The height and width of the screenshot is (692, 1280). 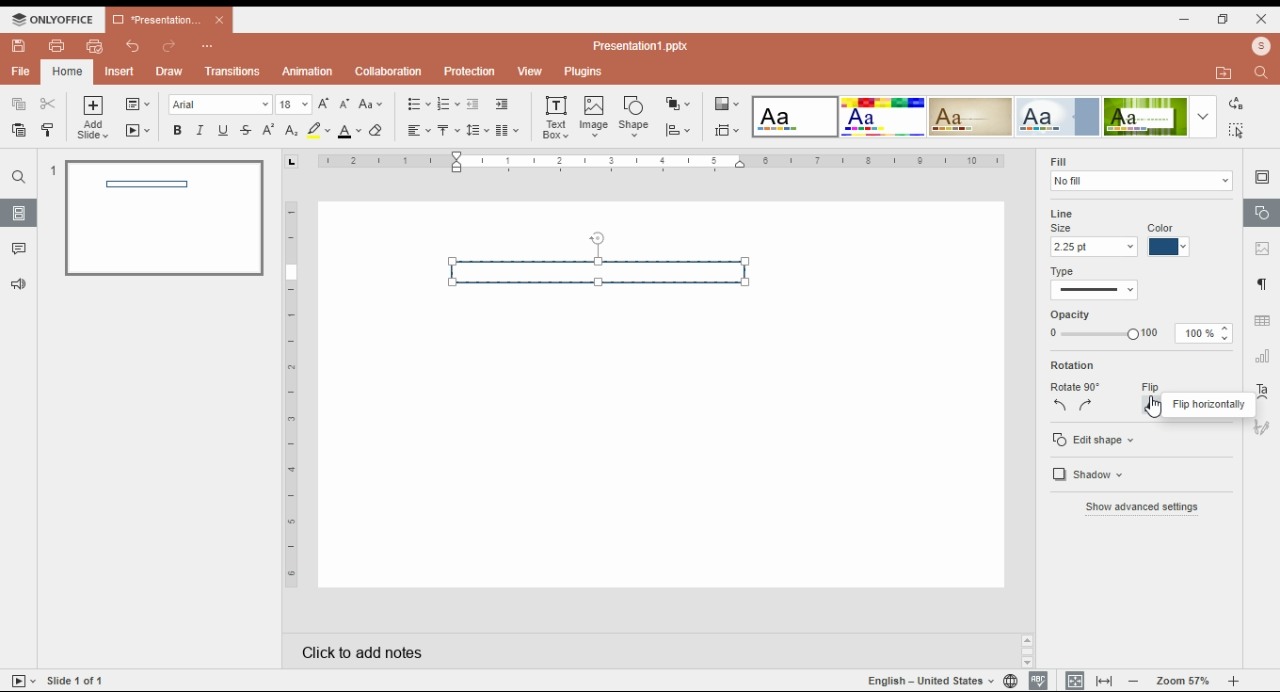 What do you see at coordinates (1070, 315) in the screenshot?
I see `opacity` at bounding box center [1070, 315].